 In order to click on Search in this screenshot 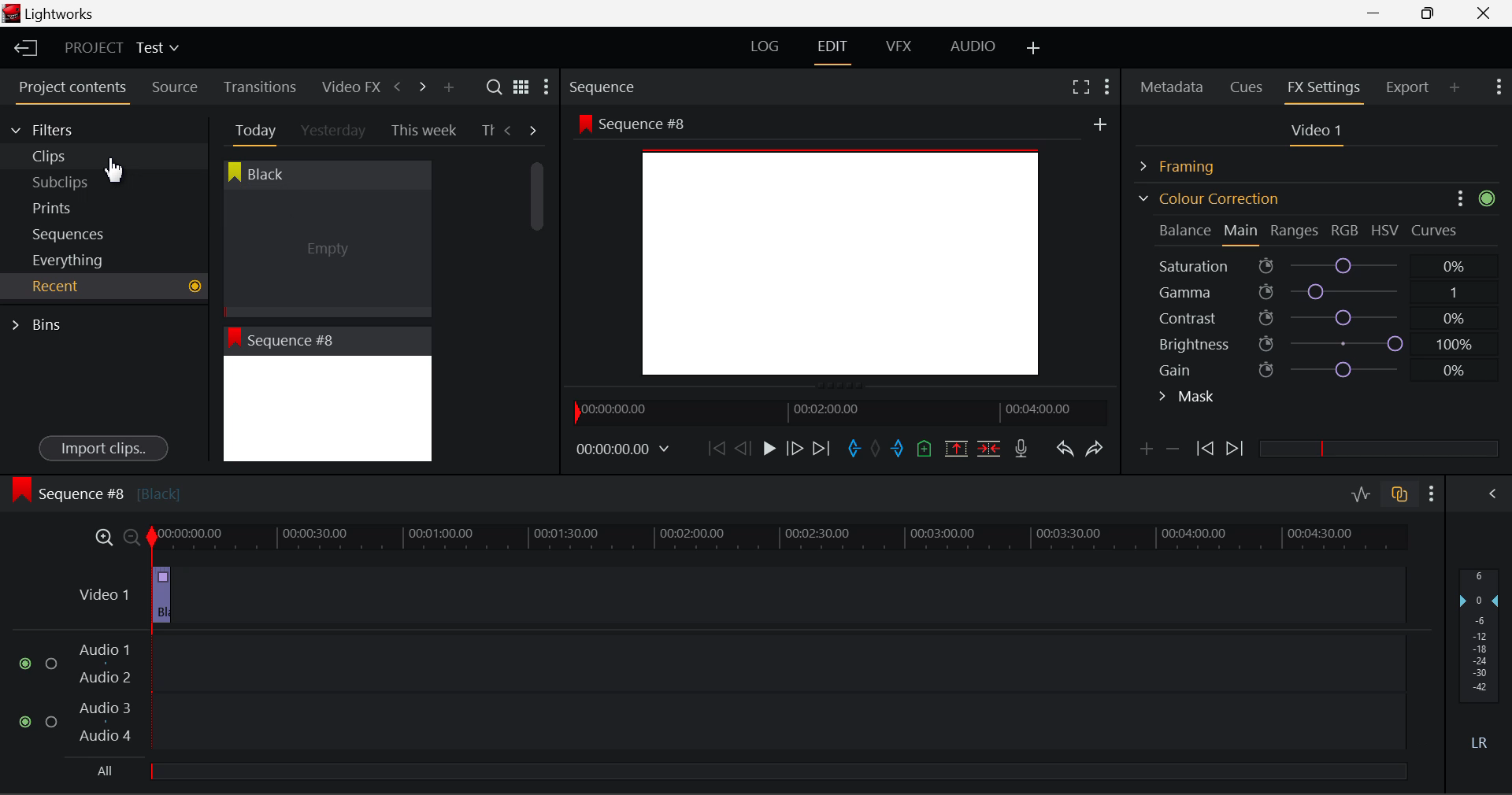, I will do `click(496, 87)`.